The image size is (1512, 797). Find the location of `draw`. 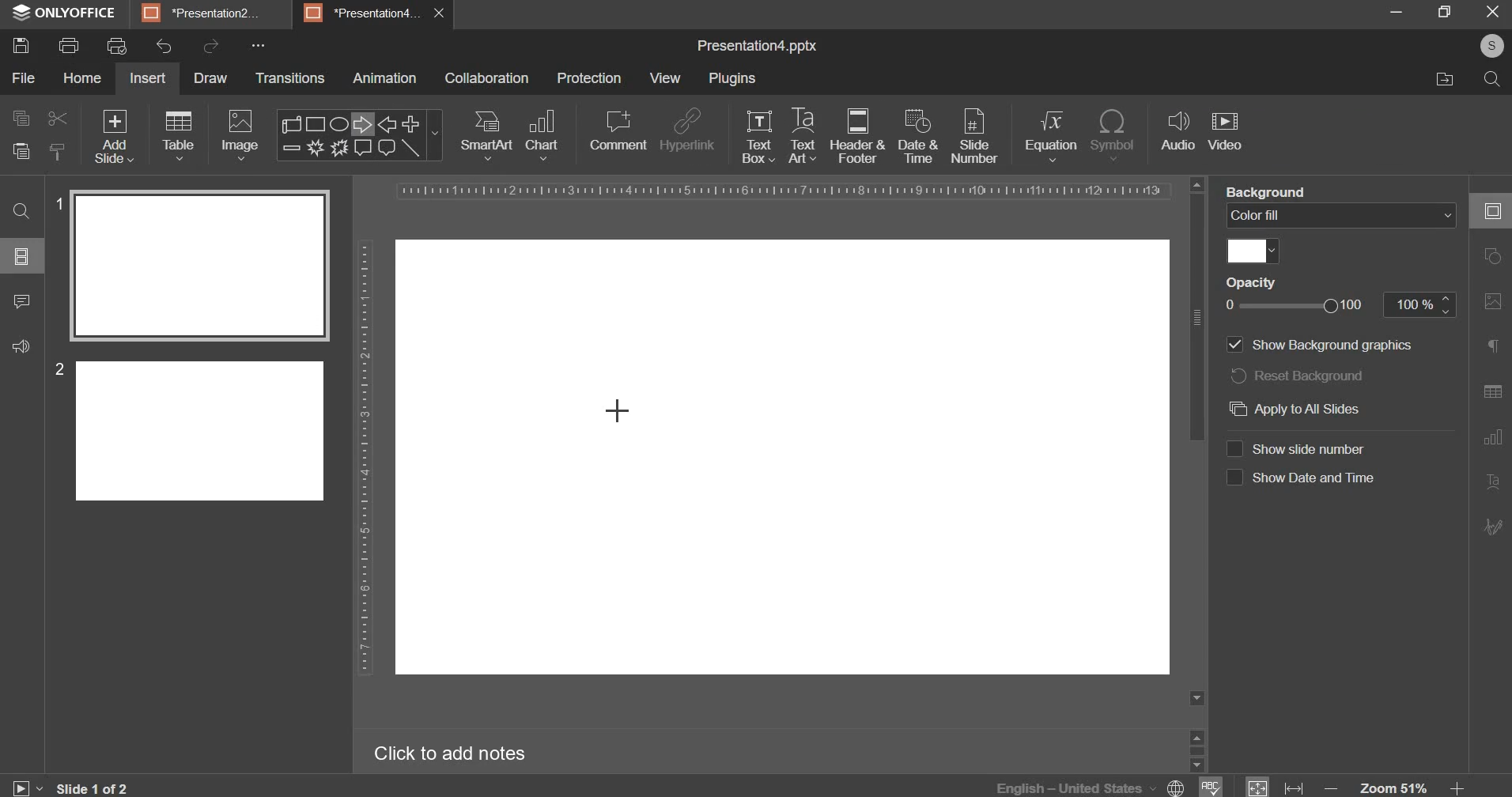

draw is located at coordinates (210, 77).